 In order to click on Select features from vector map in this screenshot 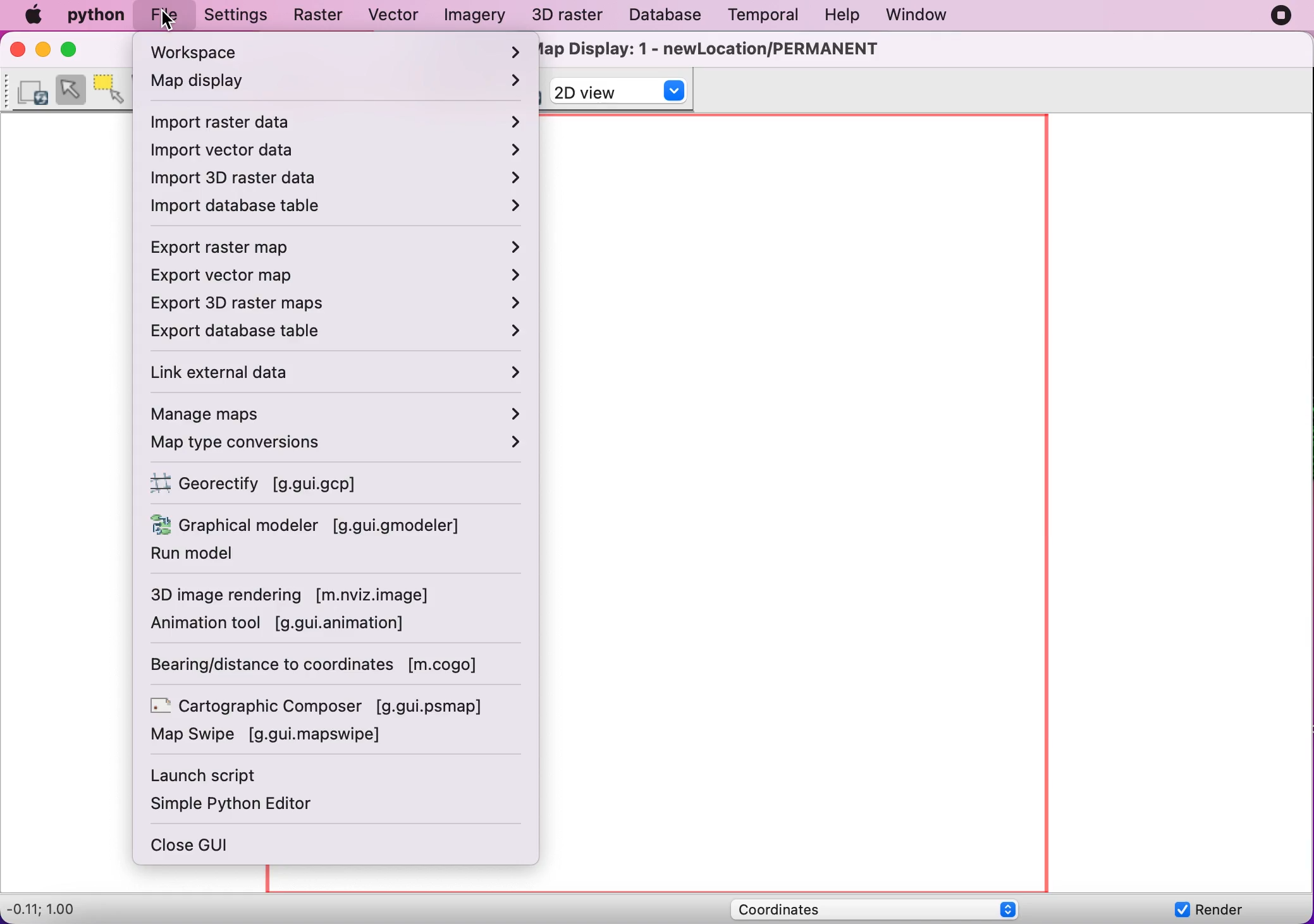, I will do `click(118, 88)`.